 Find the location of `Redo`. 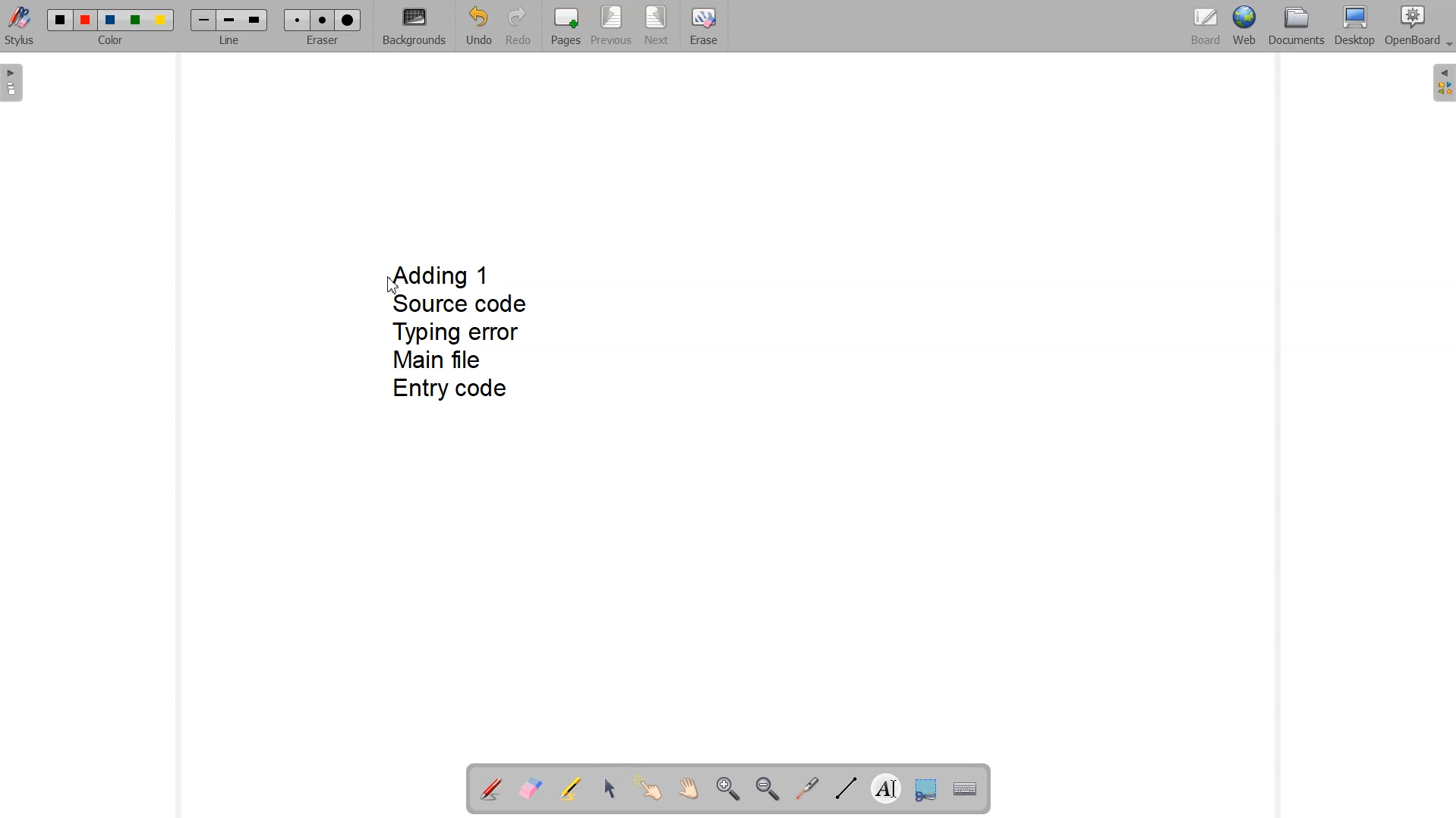

Redo is located at coordinates (516, 25).